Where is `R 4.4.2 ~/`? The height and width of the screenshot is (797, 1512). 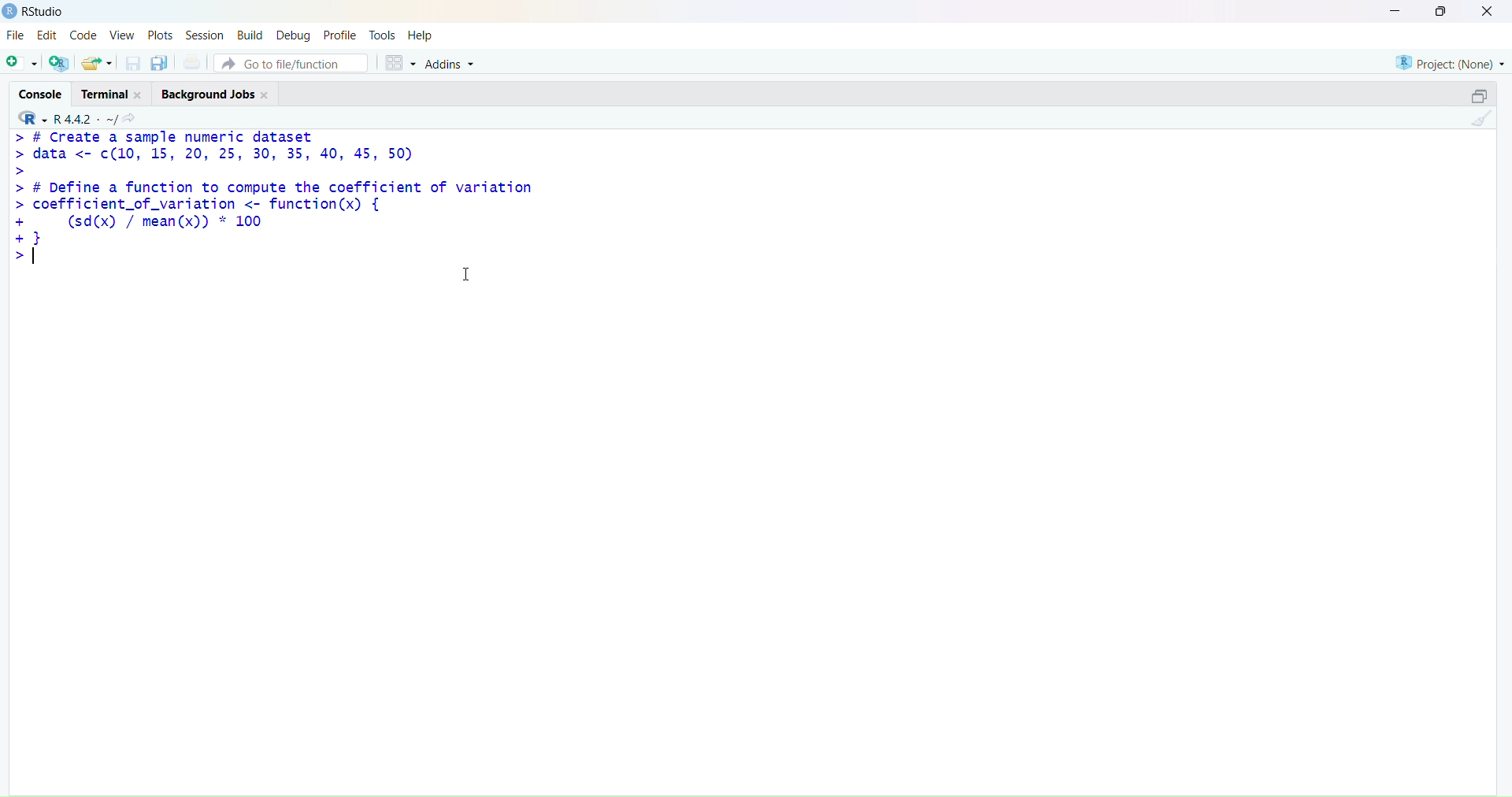
R 4.4.2 ~/ is located at coordinates (85, 119).